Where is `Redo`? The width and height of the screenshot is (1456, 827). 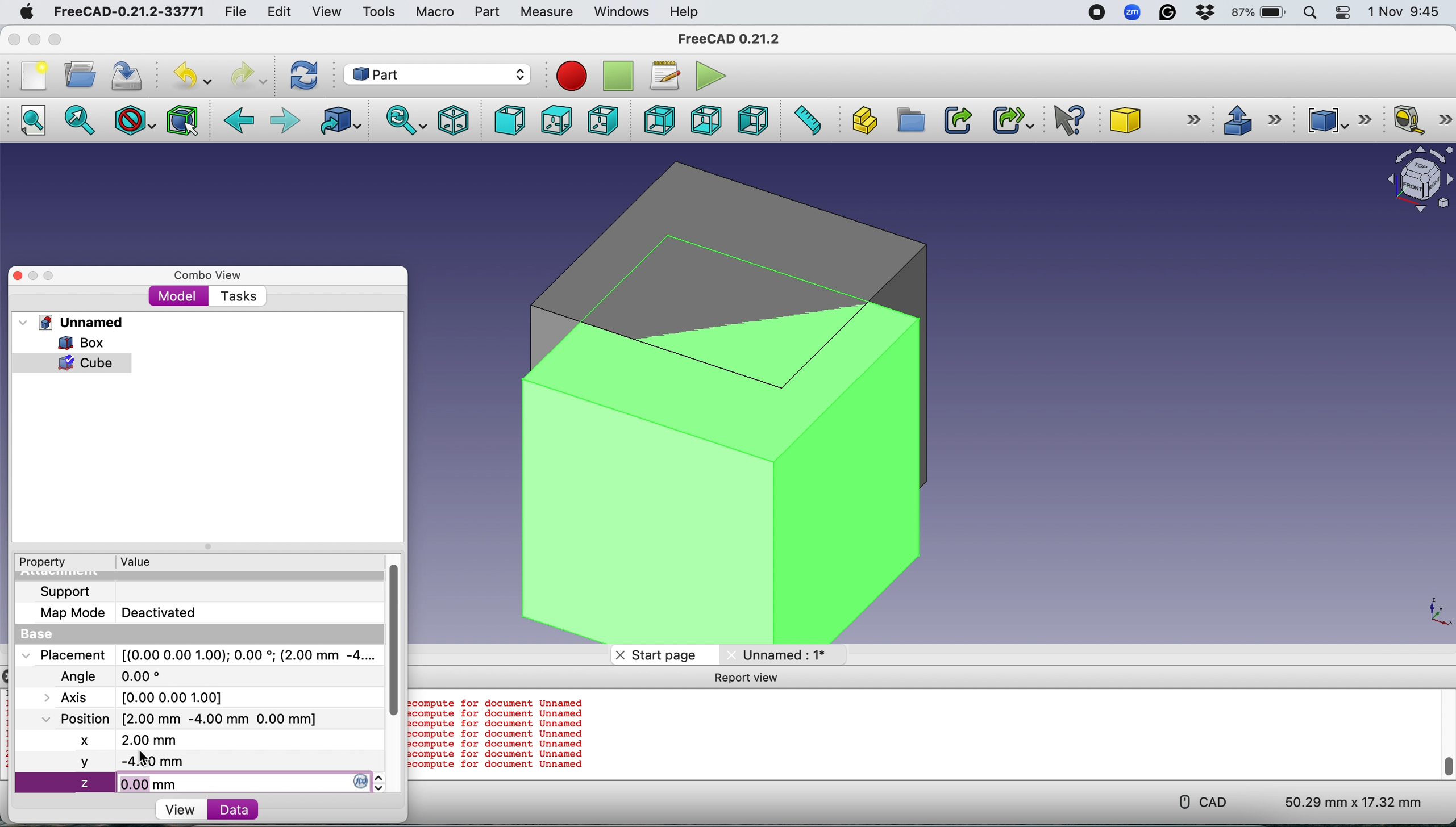 Redo is located at coordinates (247, 76).